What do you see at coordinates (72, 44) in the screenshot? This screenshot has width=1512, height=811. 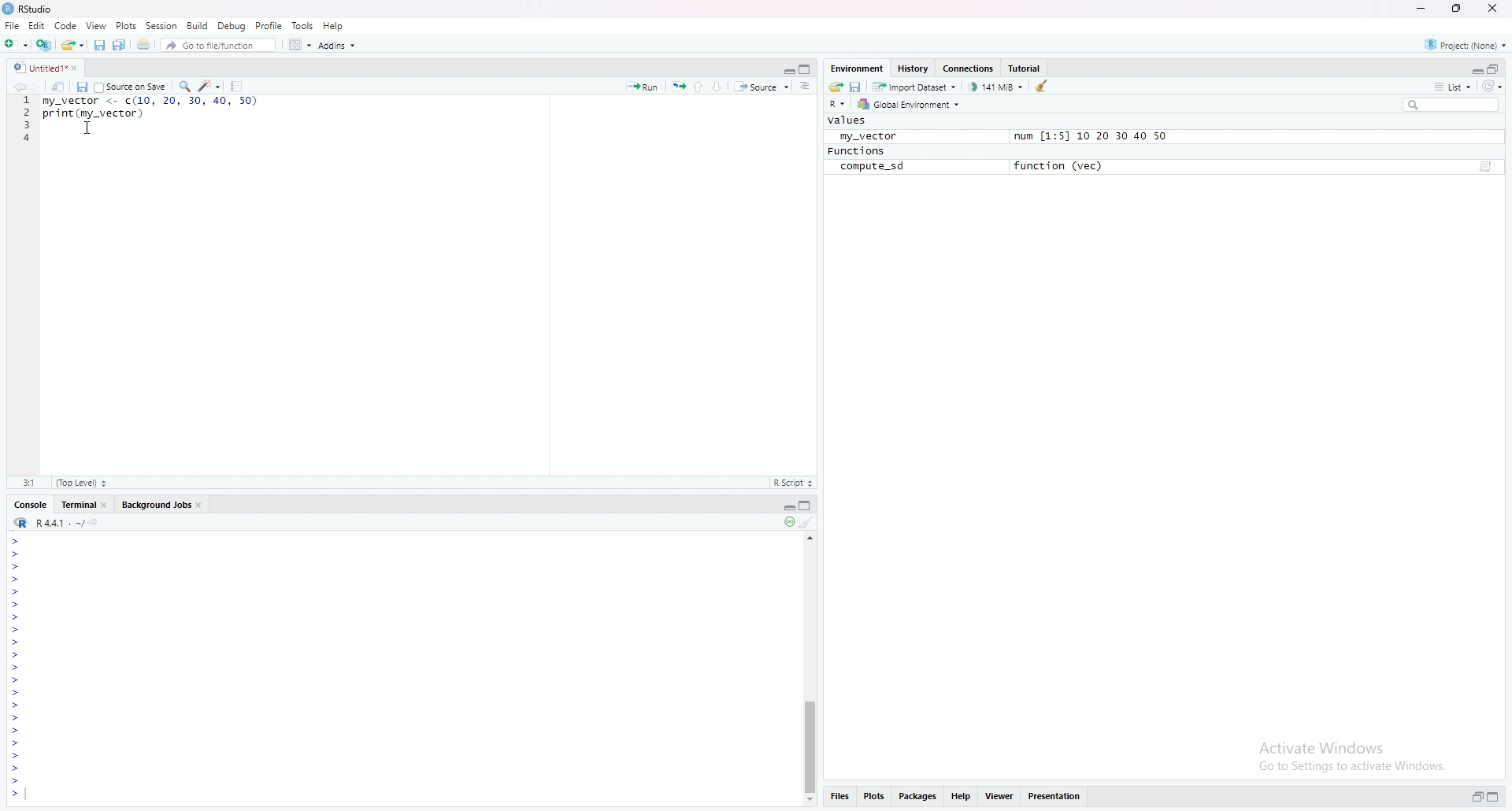 I see `Open an existing file (Ctrl + O)` at bounding box center [72, 44].